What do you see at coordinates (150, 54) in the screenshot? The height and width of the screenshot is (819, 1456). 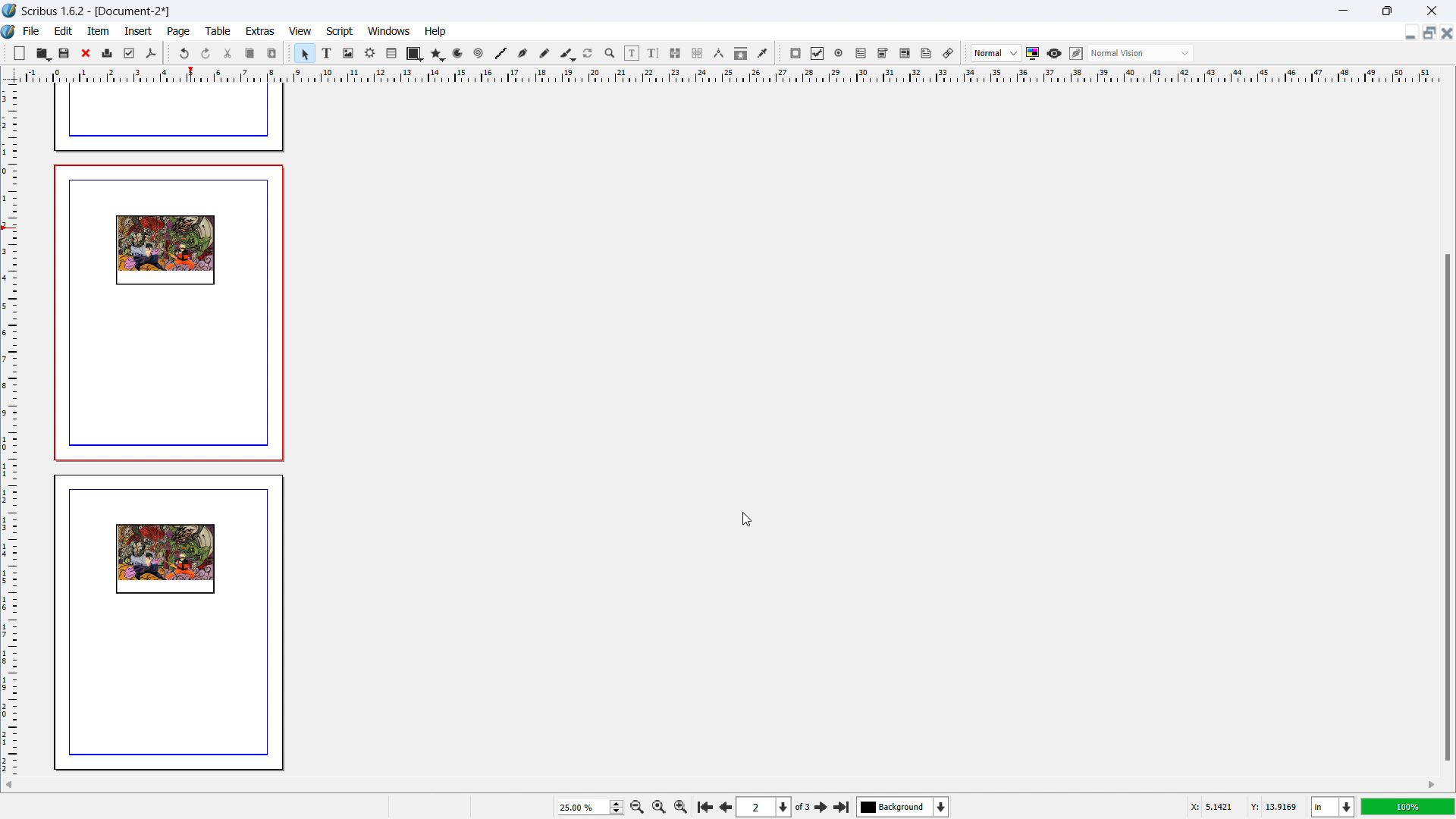 I see `save as pdf` at bounding box center [150, 54].